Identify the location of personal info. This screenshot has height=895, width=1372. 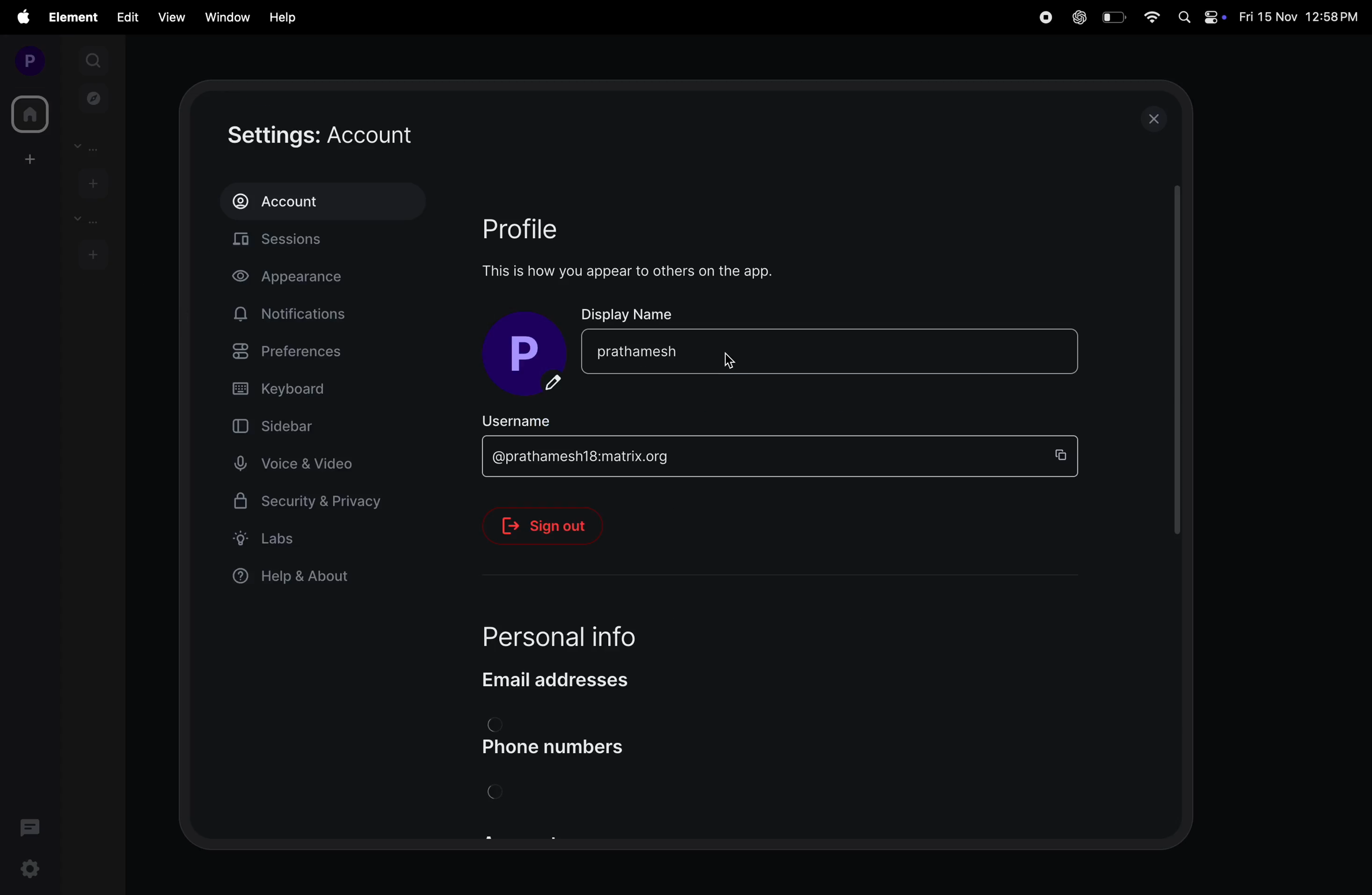
(587, 631).